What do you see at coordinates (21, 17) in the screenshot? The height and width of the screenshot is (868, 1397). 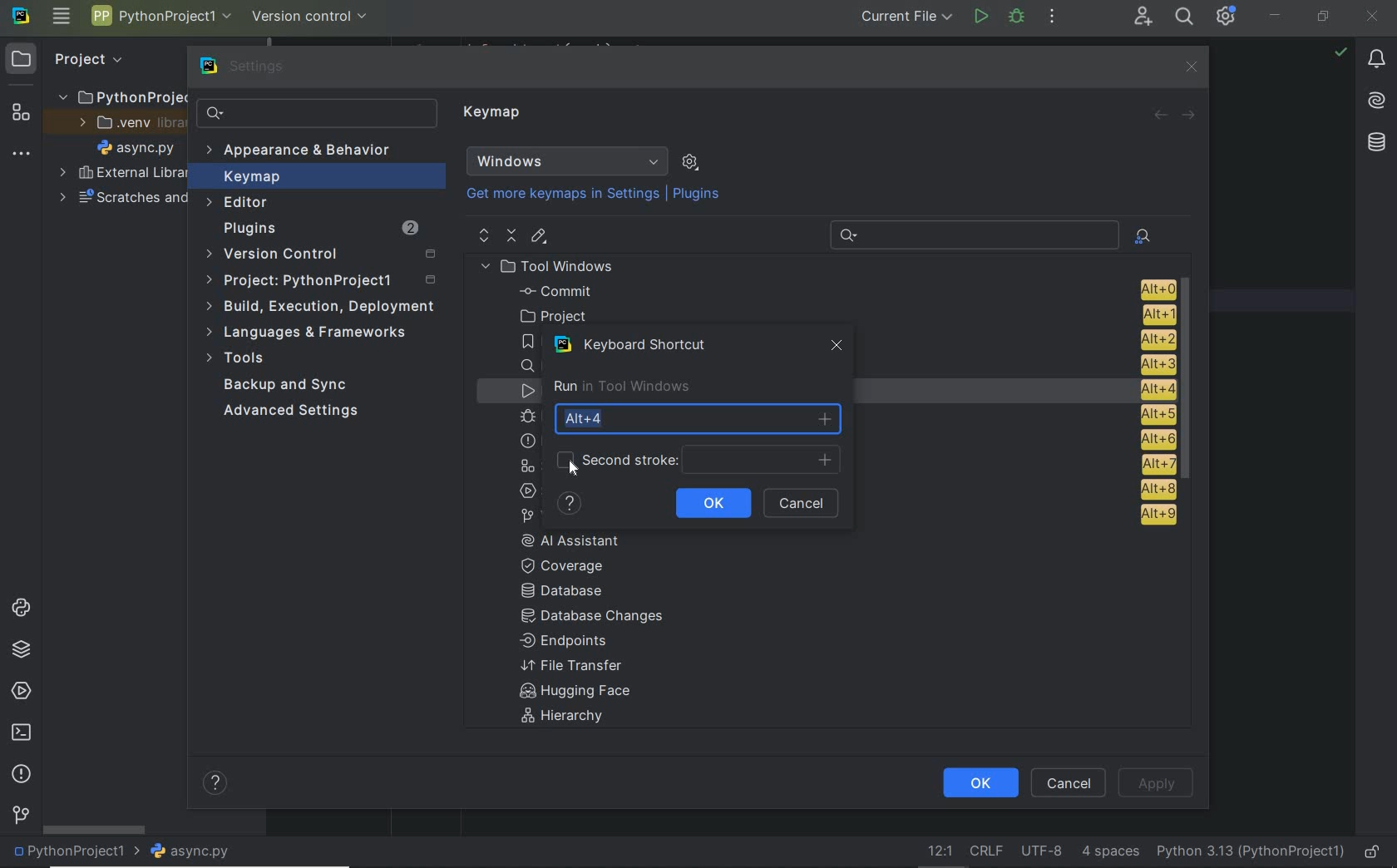 I see `system name` at bounding box center [21, 17].